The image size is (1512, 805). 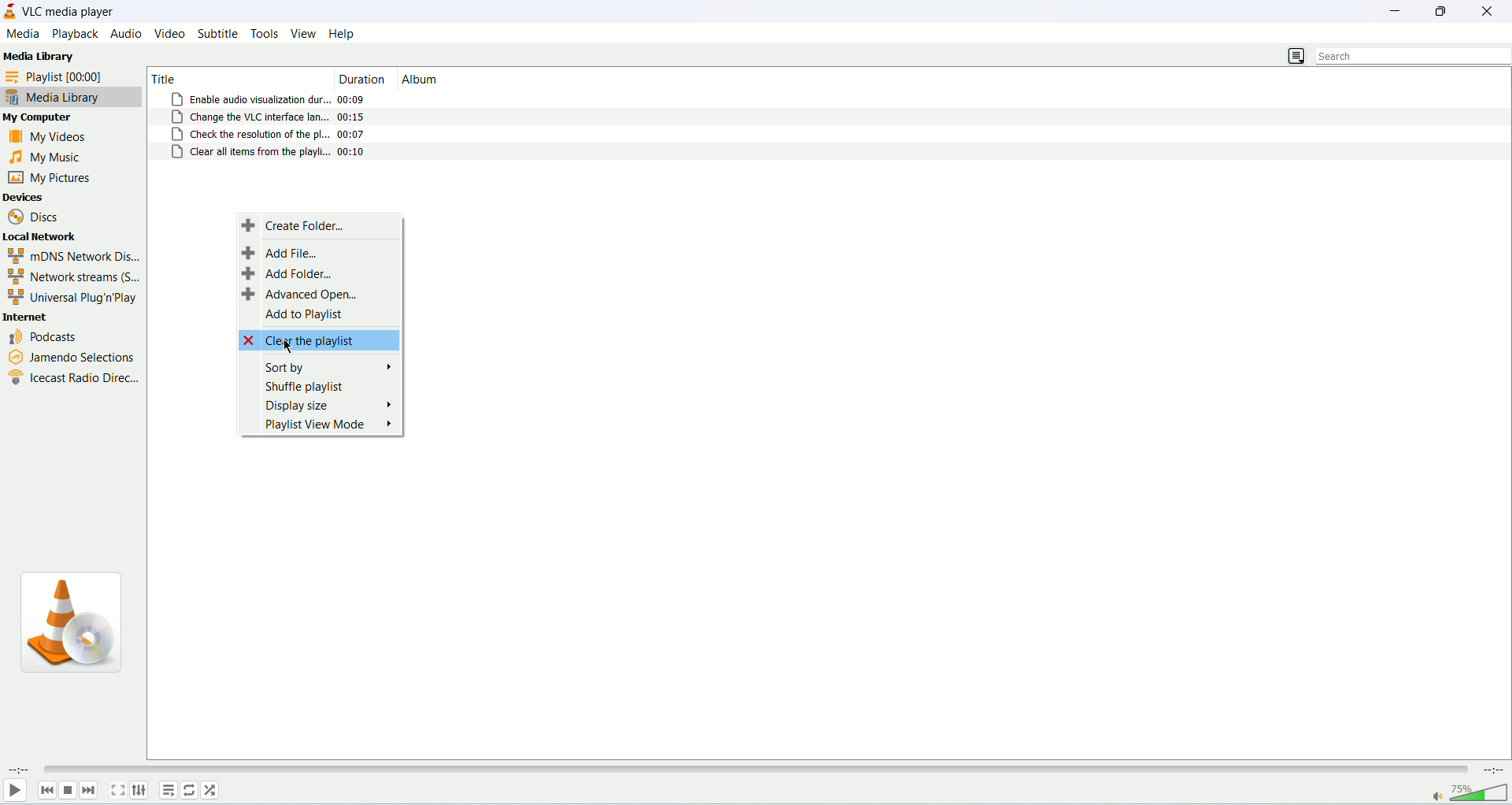 What do you see at coordinates (332, 367) in the screenshot?
I see `sort by` at bounding box center [332, 367].